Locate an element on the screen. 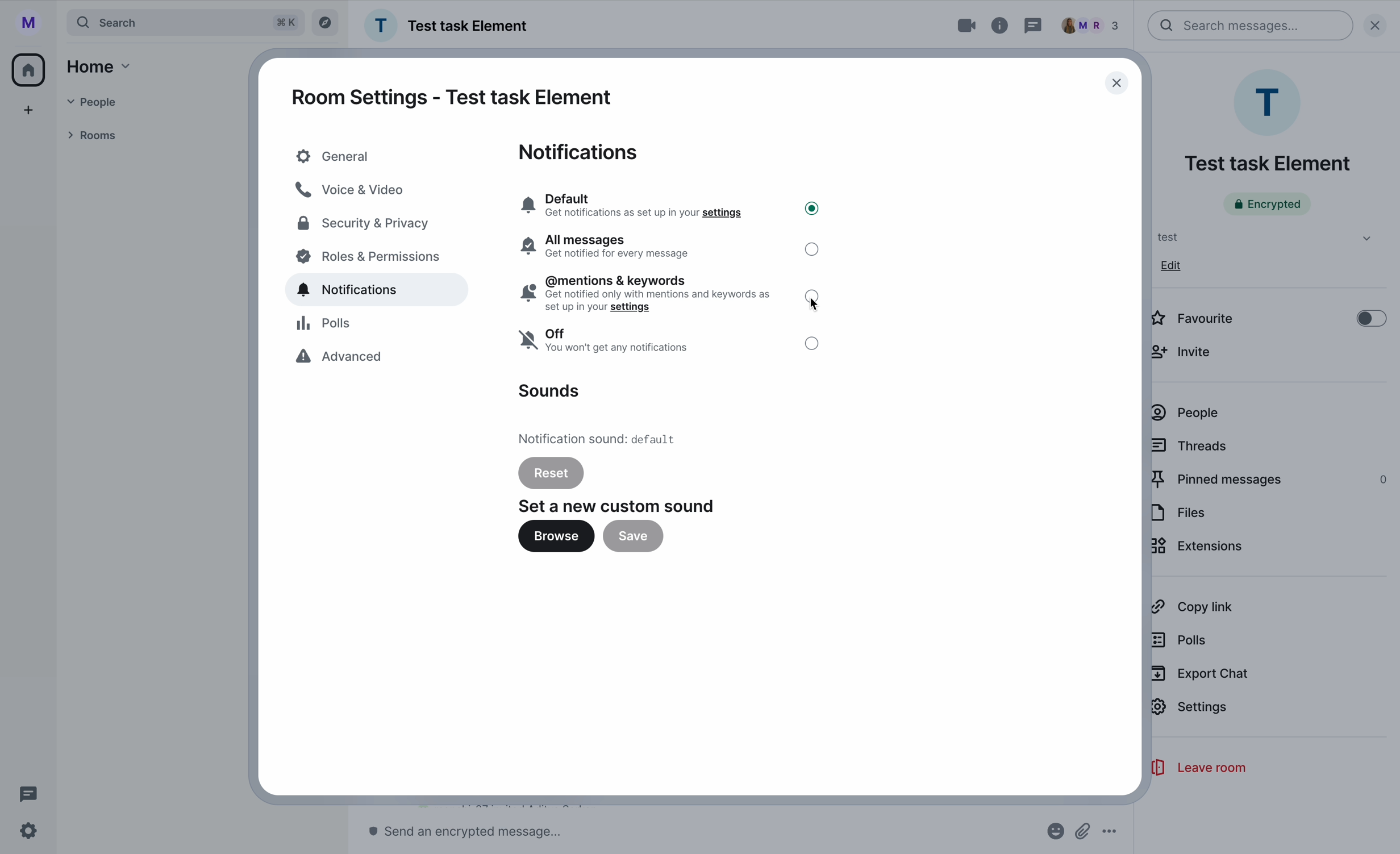 Image resolution: width=1400 pixels, height=854 pixels. threads is located at coordinates (1034, 25).